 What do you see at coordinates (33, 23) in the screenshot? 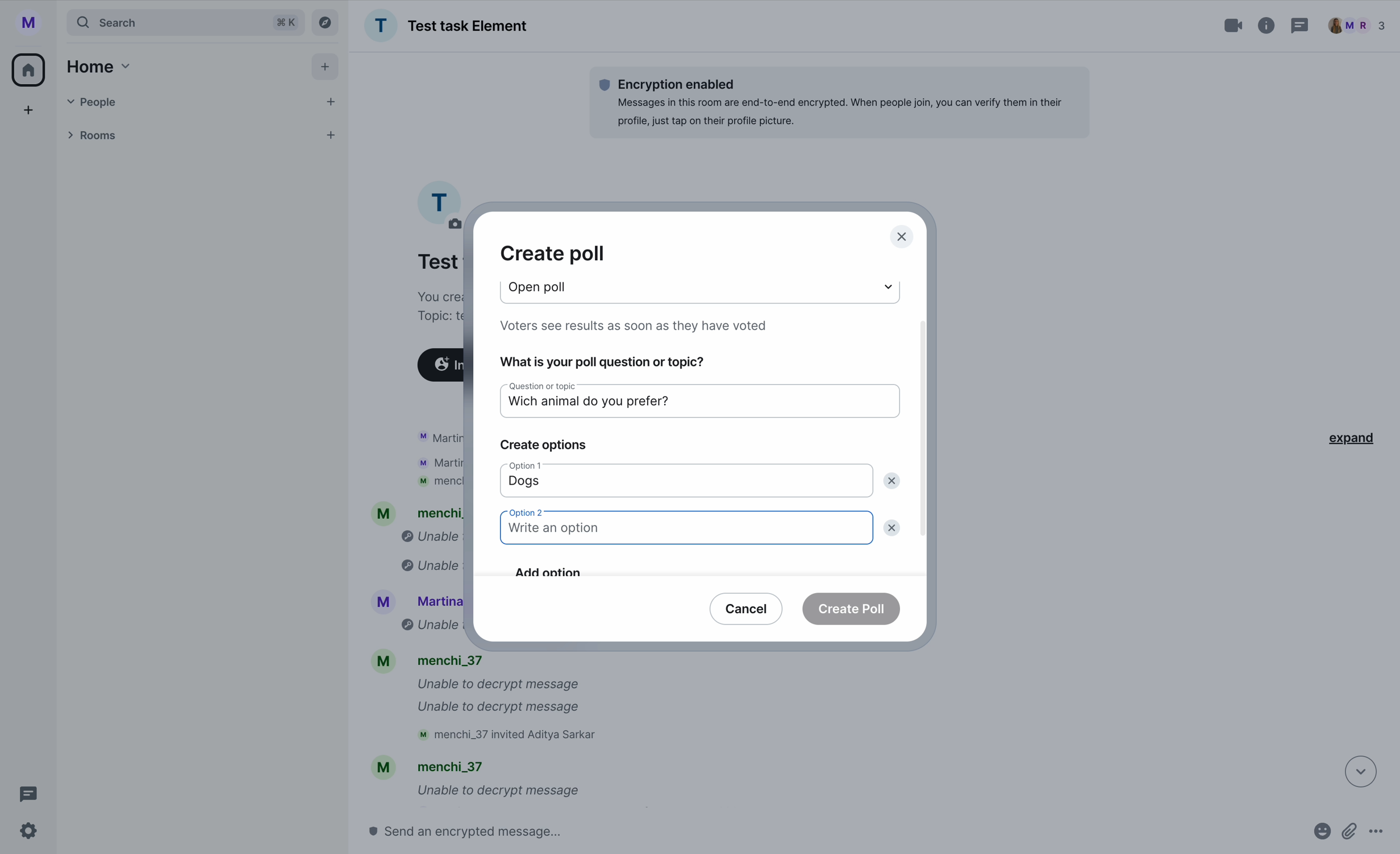
I see `profile picture` at bounding box center [33, 23].